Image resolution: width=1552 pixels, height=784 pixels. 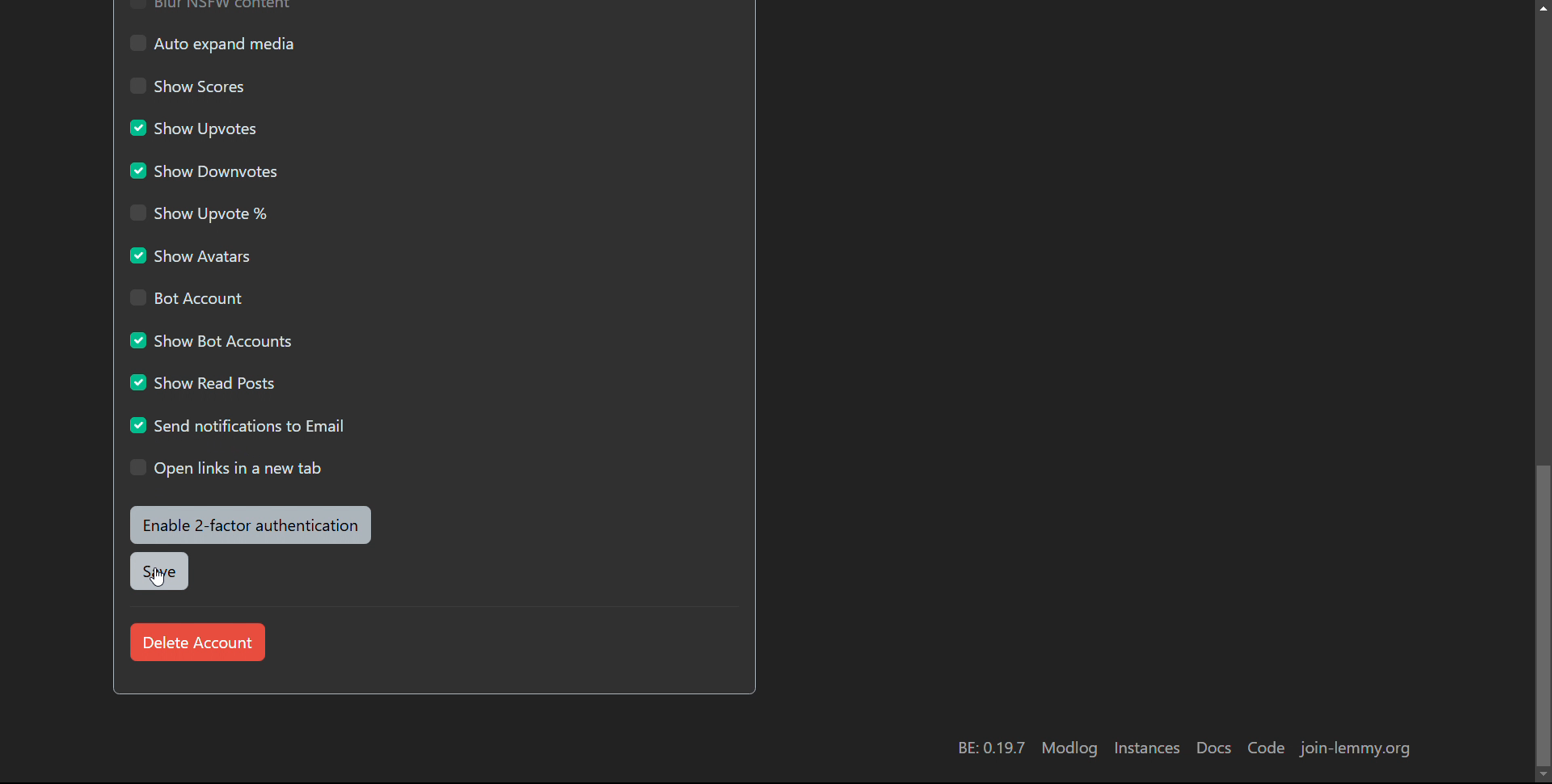 What do you see at coordinates (1266, 748) in the screenshot?
I see `code` at bounding box center [1266, 748].